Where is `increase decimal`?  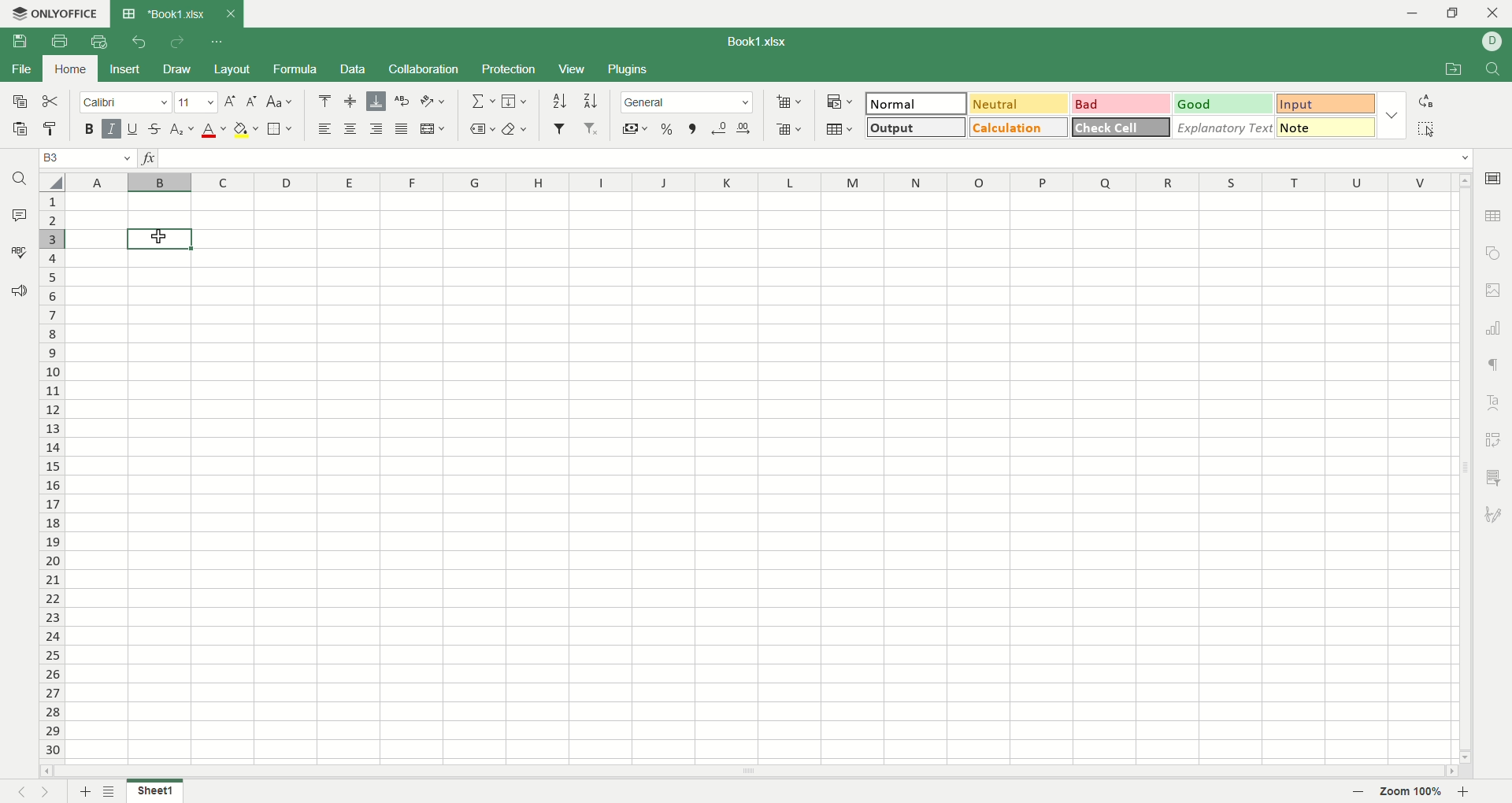
increase decimal is located at coordinates (744, 129).